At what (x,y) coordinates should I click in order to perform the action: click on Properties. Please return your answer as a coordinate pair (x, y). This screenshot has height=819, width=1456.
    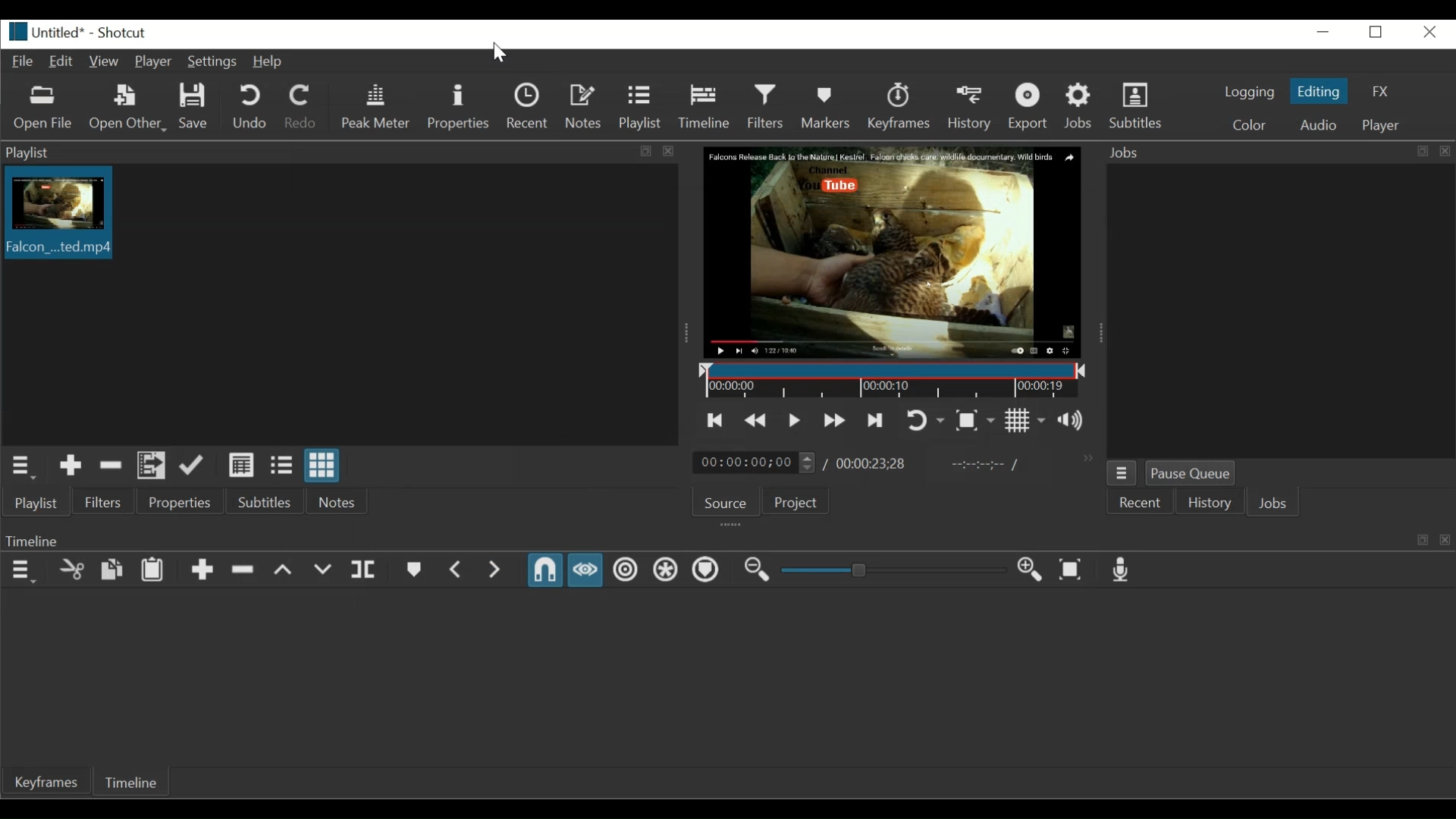
    Looking at the image, I should click on (459, 107).